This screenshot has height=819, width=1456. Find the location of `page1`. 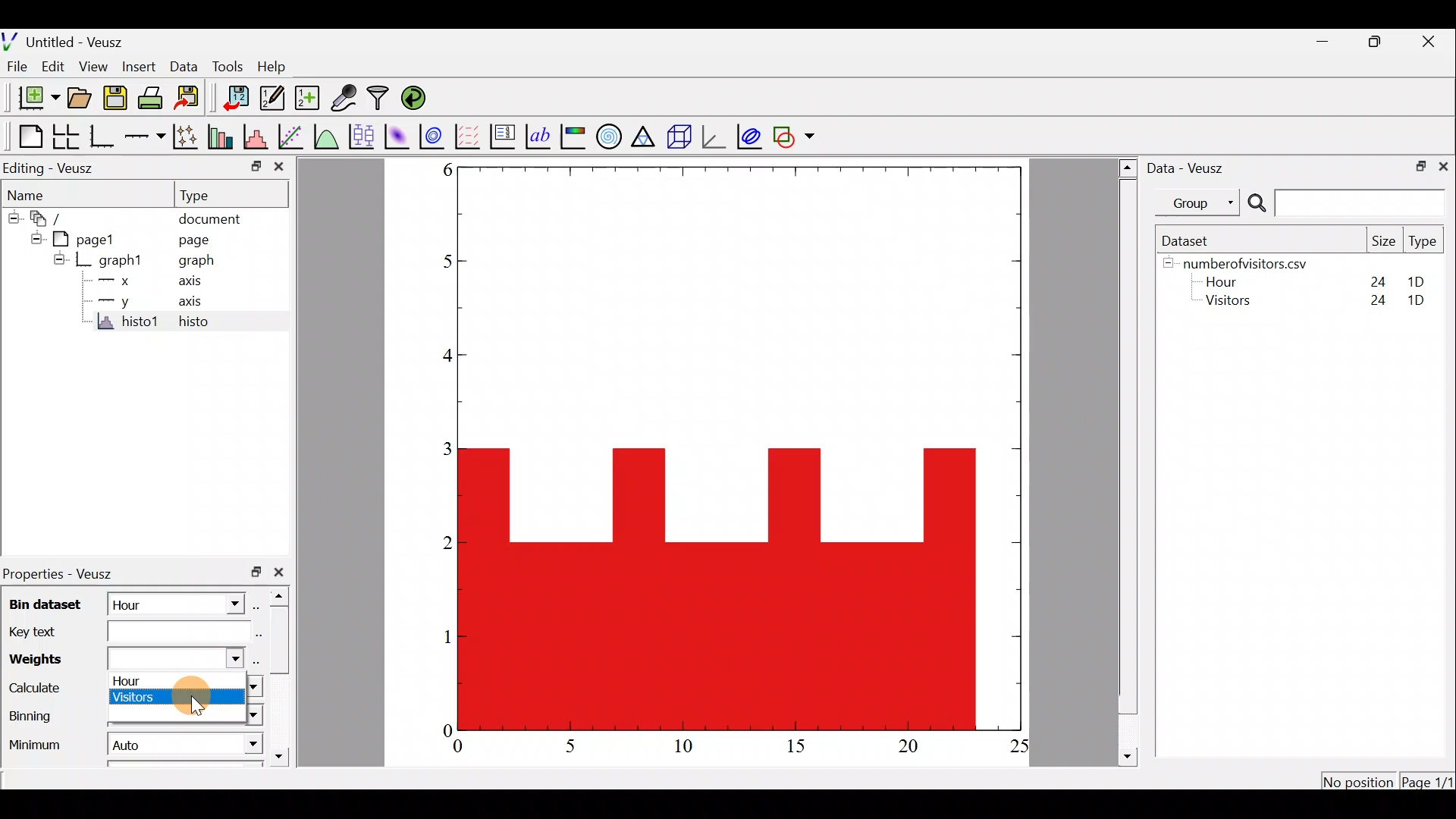

page1 is located at coordinates (90, 240).